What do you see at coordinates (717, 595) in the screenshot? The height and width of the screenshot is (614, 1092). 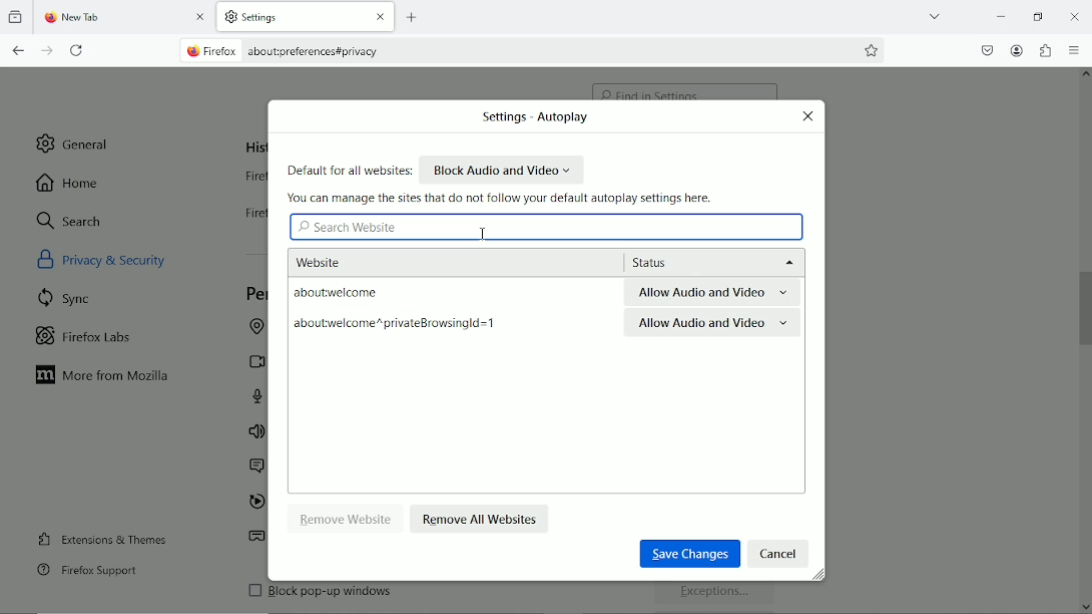 I see `Exceptions...` at bounding box center [717, 595].